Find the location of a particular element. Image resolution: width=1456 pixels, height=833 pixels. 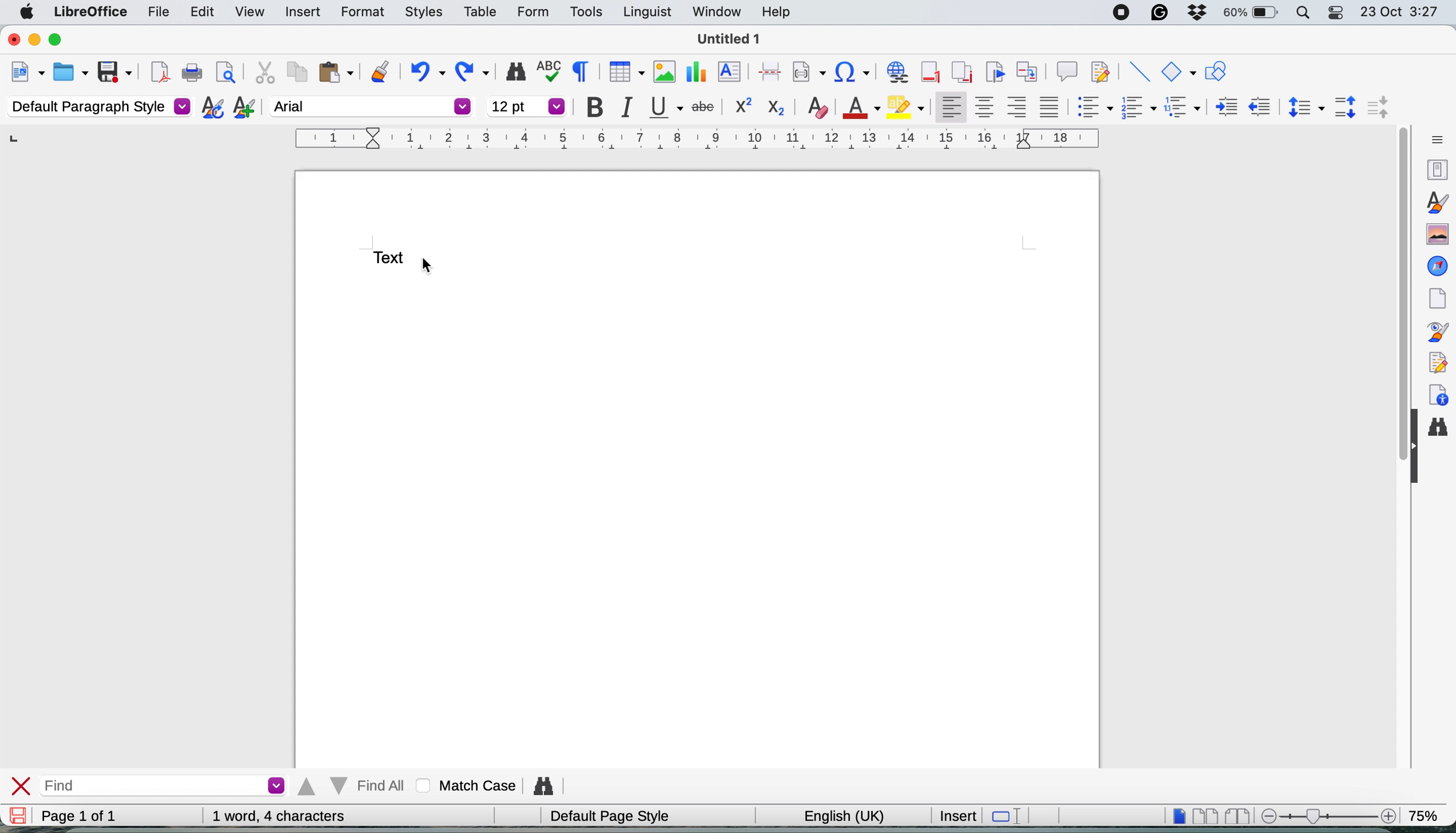

redo is located at coordinates (476, 72).